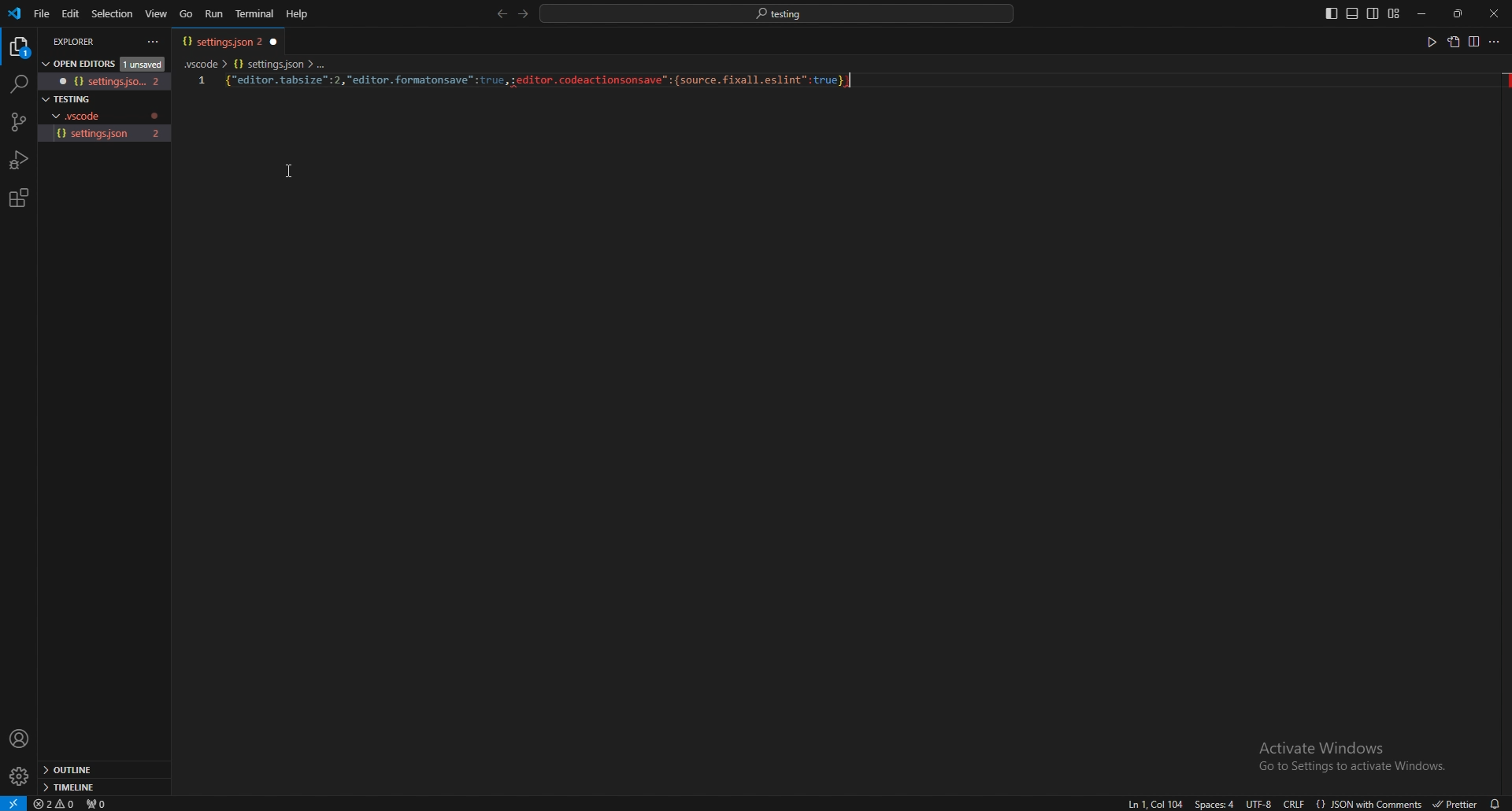 The height and width of the screenshot is (811, 1512). I want to click on settings.json, so click(277, 63).